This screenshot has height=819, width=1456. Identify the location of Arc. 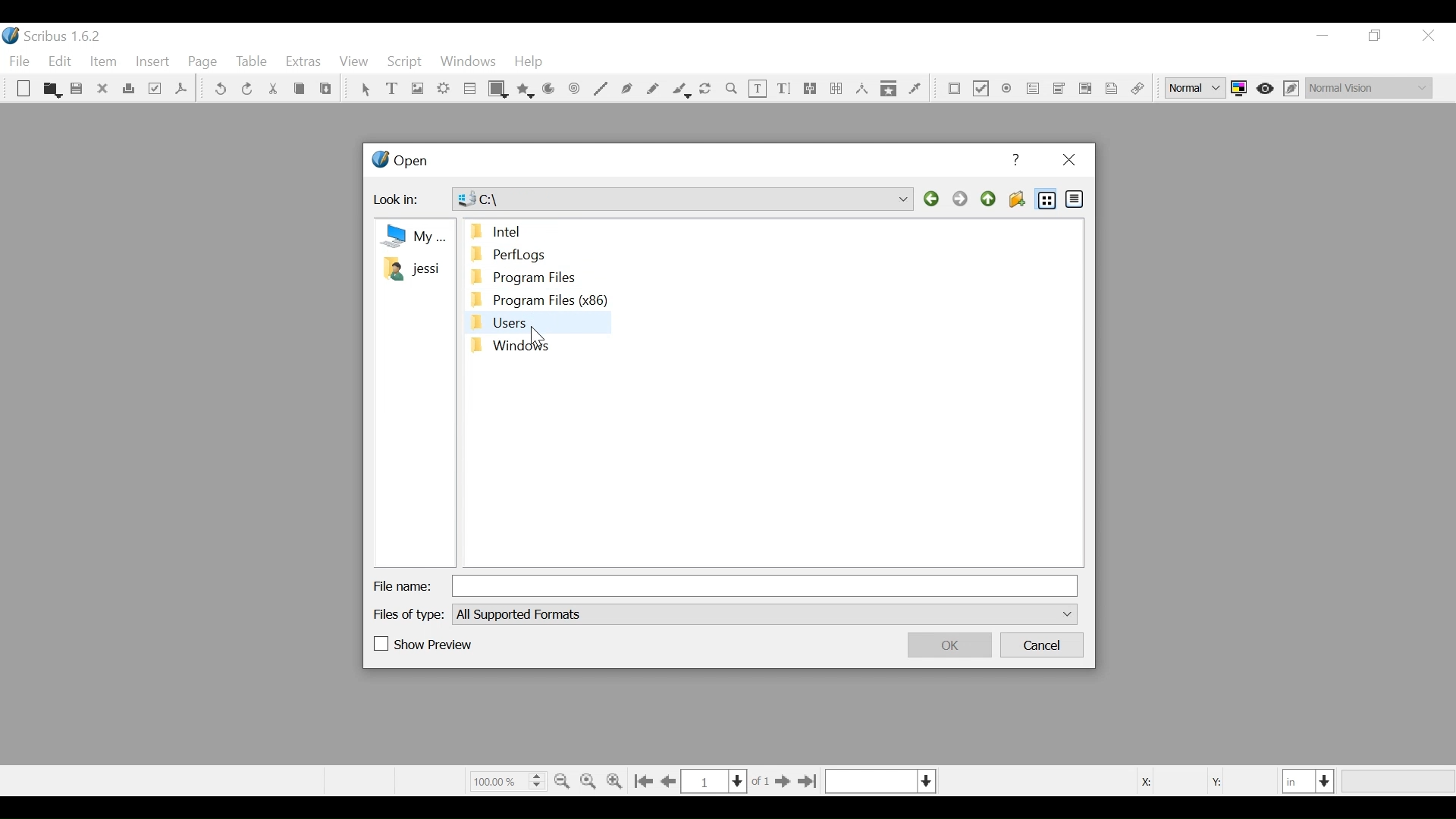
(549, 90).